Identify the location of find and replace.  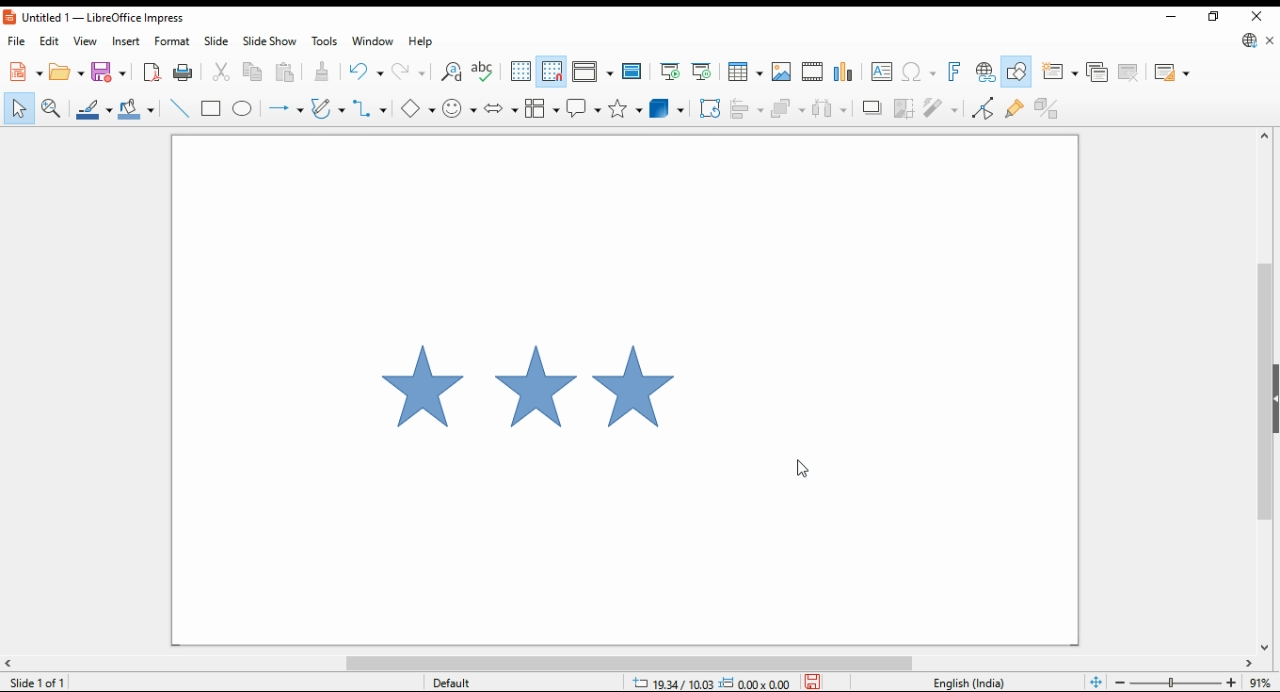
(451, 73).